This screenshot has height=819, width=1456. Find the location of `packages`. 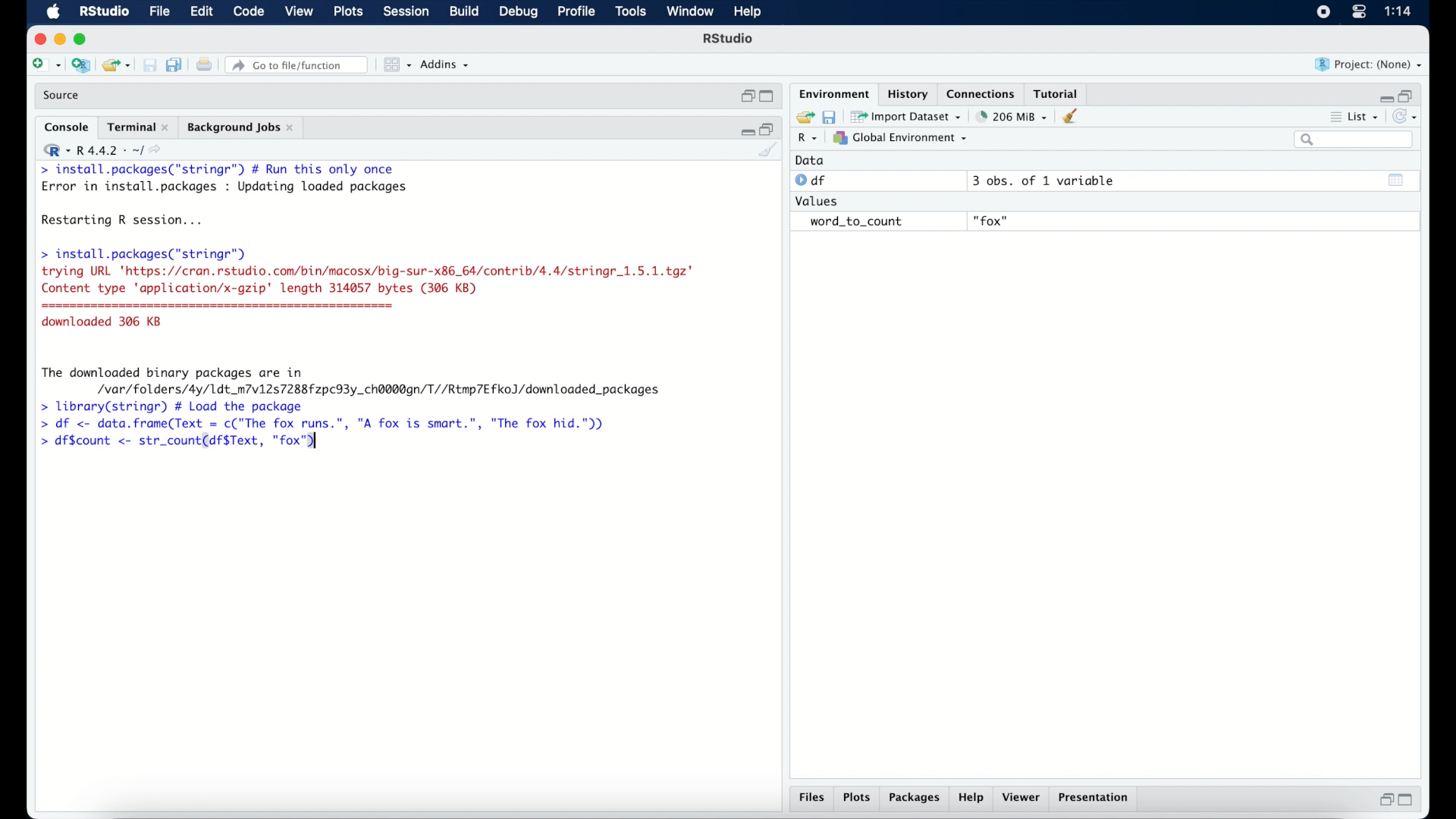

packages is located at coordinates (915, 799).